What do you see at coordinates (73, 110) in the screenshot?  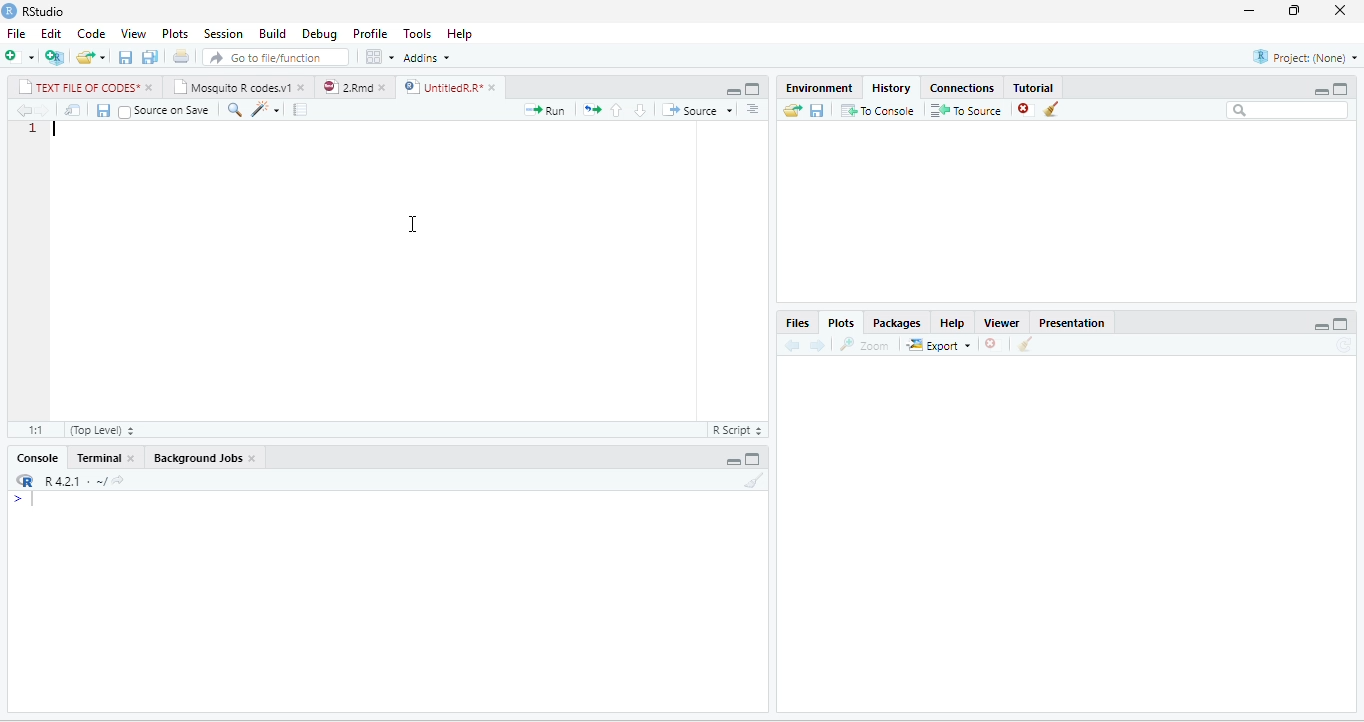 I see `open in new window` at bounding box center [73, 110].